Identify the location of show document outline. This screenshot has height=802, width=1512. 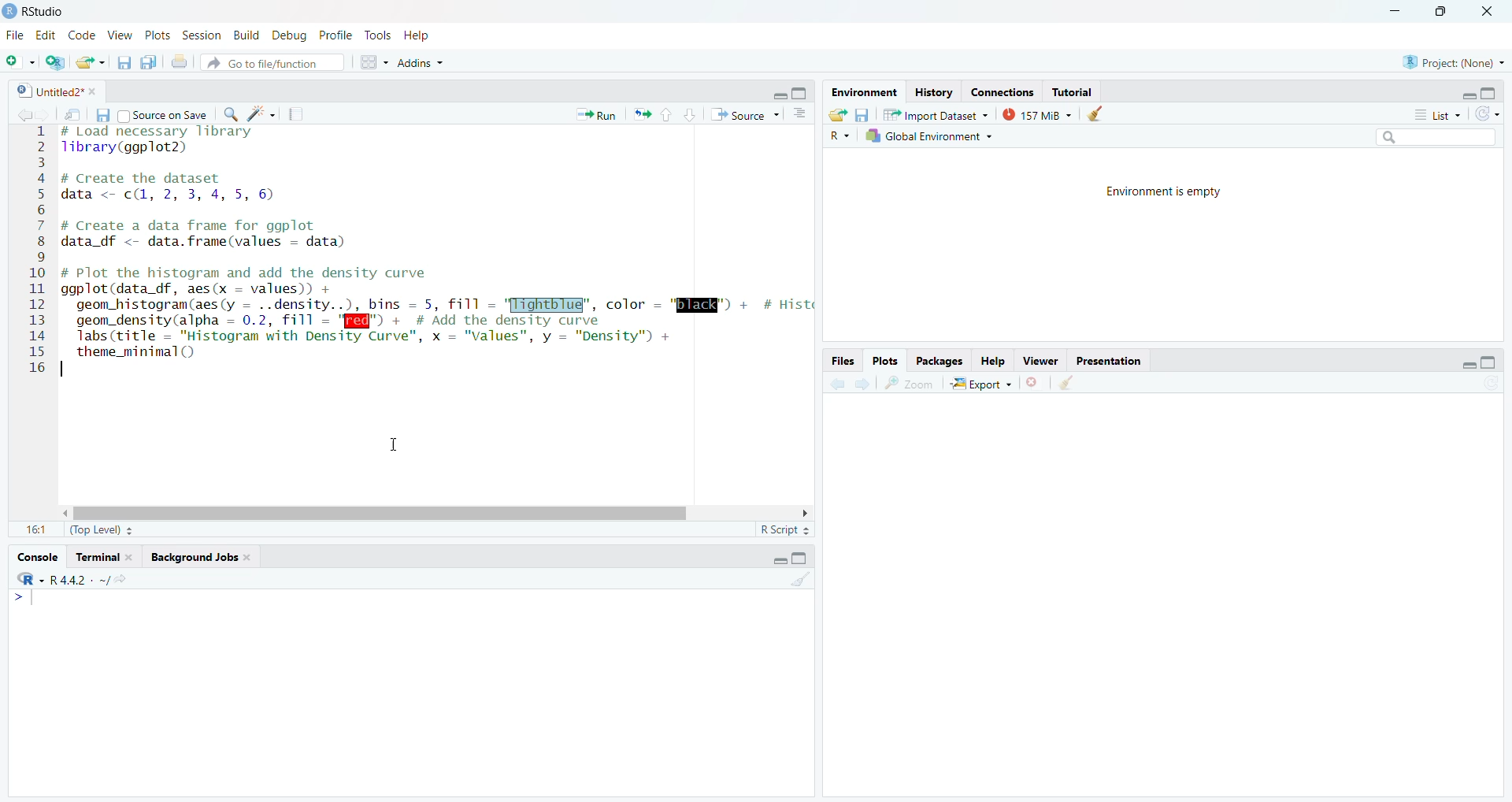
(800, 114).